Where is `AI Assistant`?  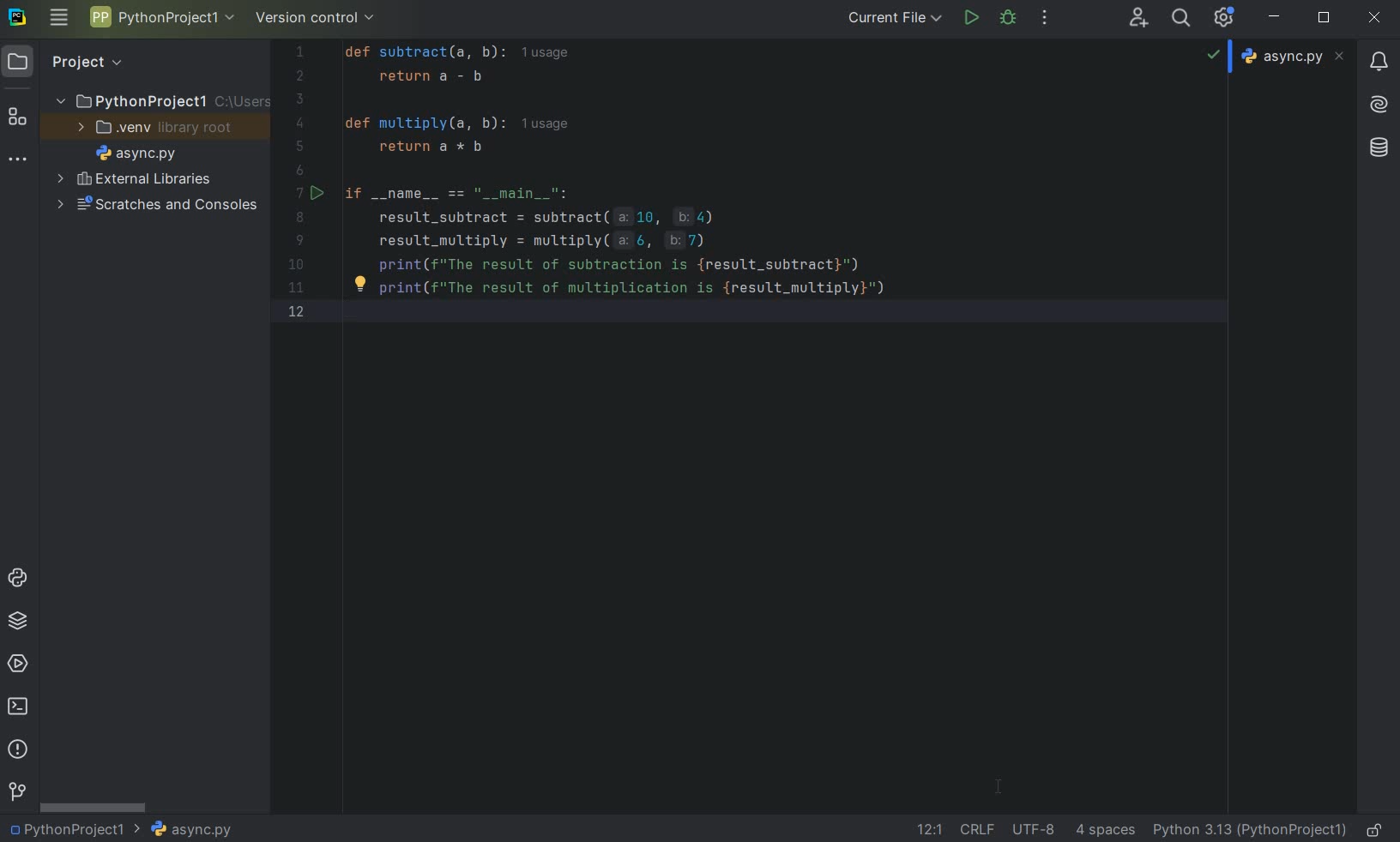
AI Assistant is located at coordinates (1379, 105).